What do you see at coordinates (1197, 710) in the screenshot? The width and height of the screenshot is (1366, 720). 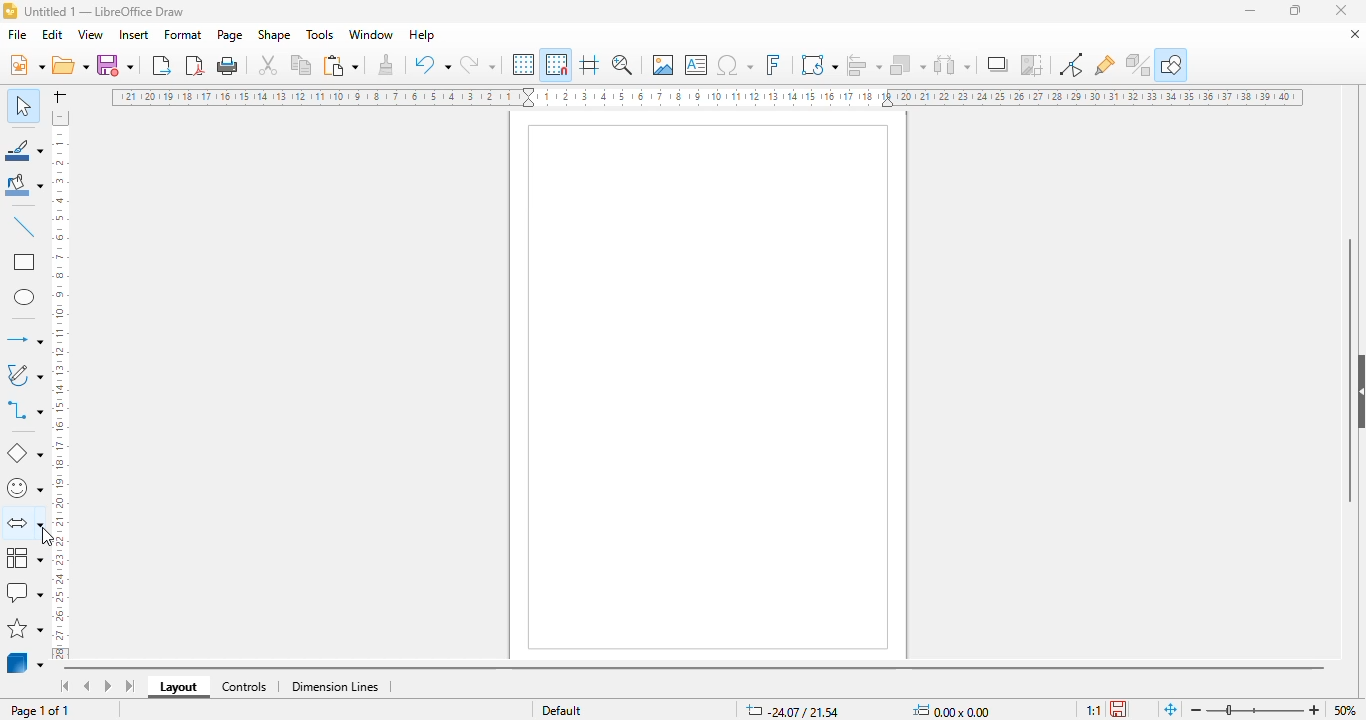 I see `zoom out` at bounding box center [1197, 710].